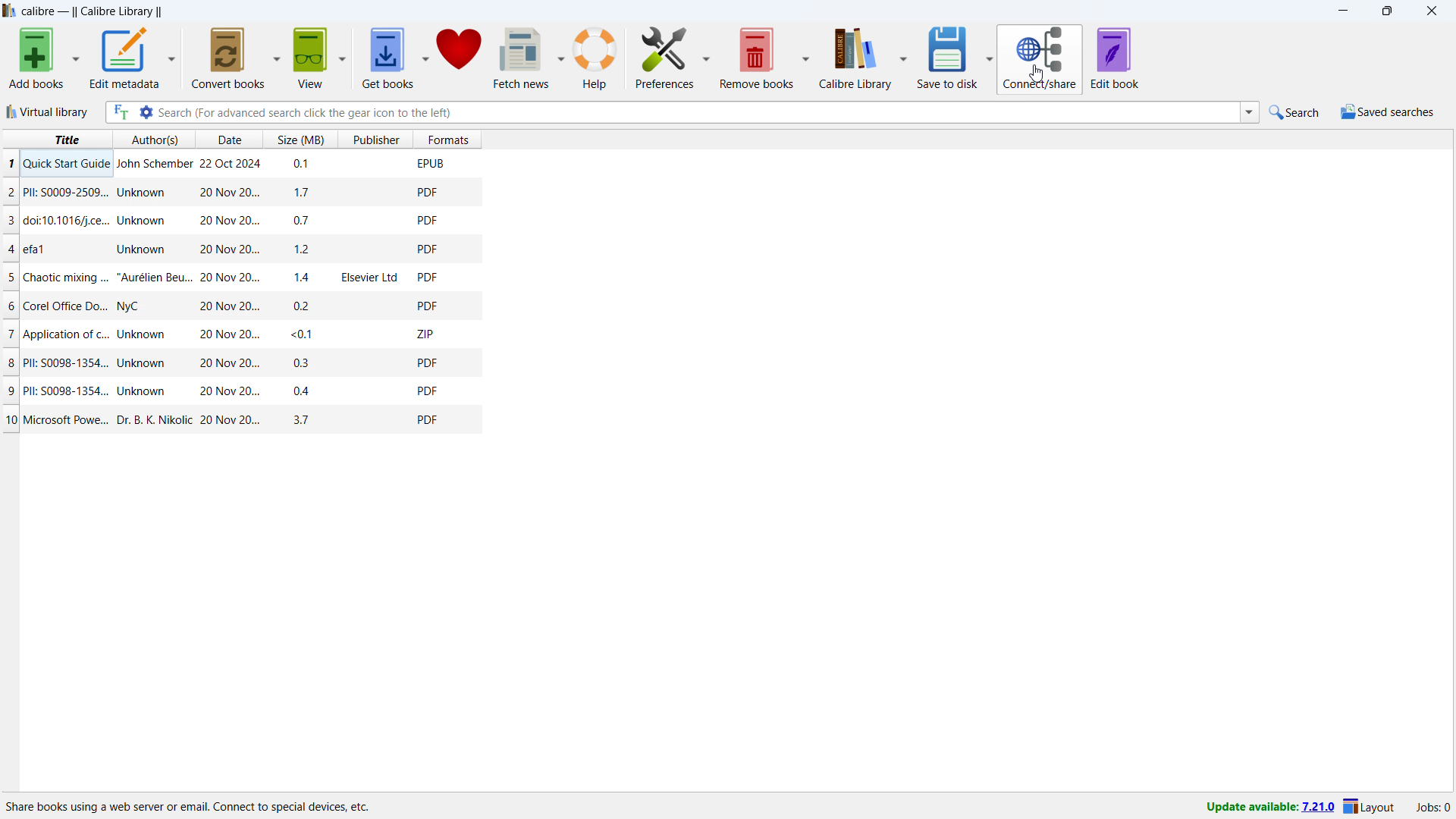 The image size is (1456, 819). Describe the element at coordinates (146, 111) in the screenshot. I see `advanced search` at that location.